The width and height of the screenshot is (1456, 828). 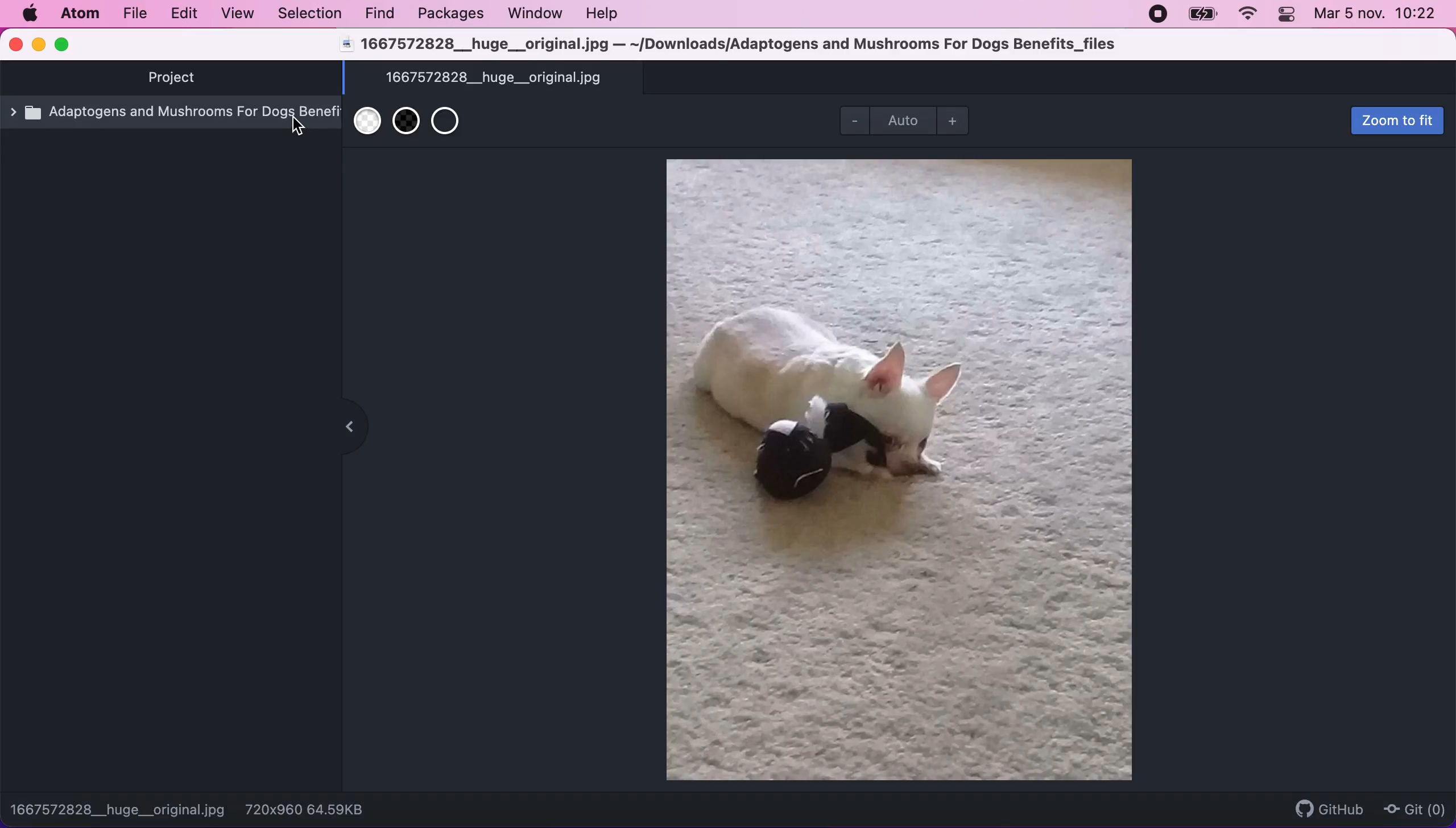 What do you see at coordinates (16, 45) in the screenshot?
I see `close` at bounding box center [16, 45].